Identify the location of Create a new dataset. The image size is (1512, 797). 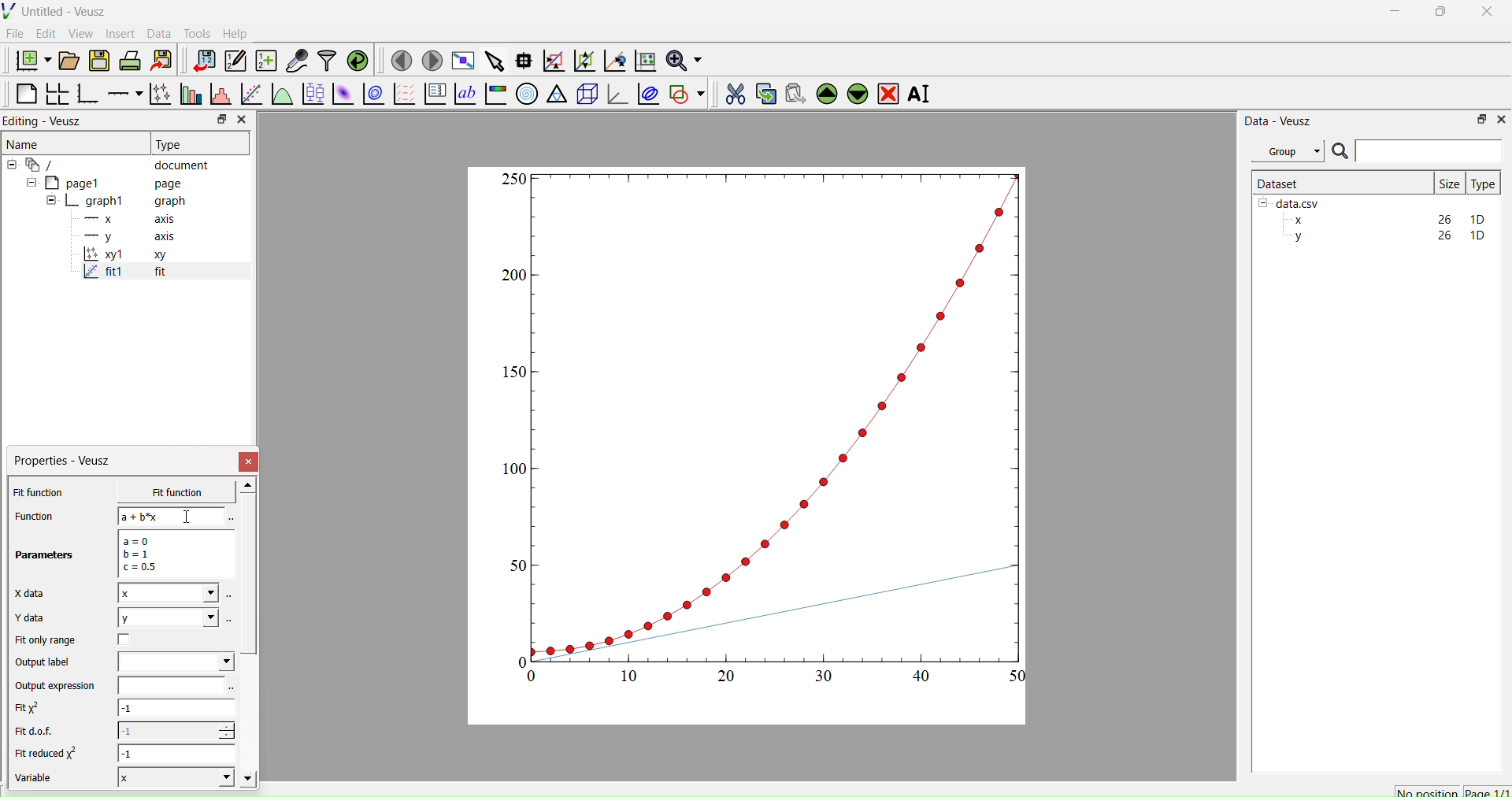
(265, 61).